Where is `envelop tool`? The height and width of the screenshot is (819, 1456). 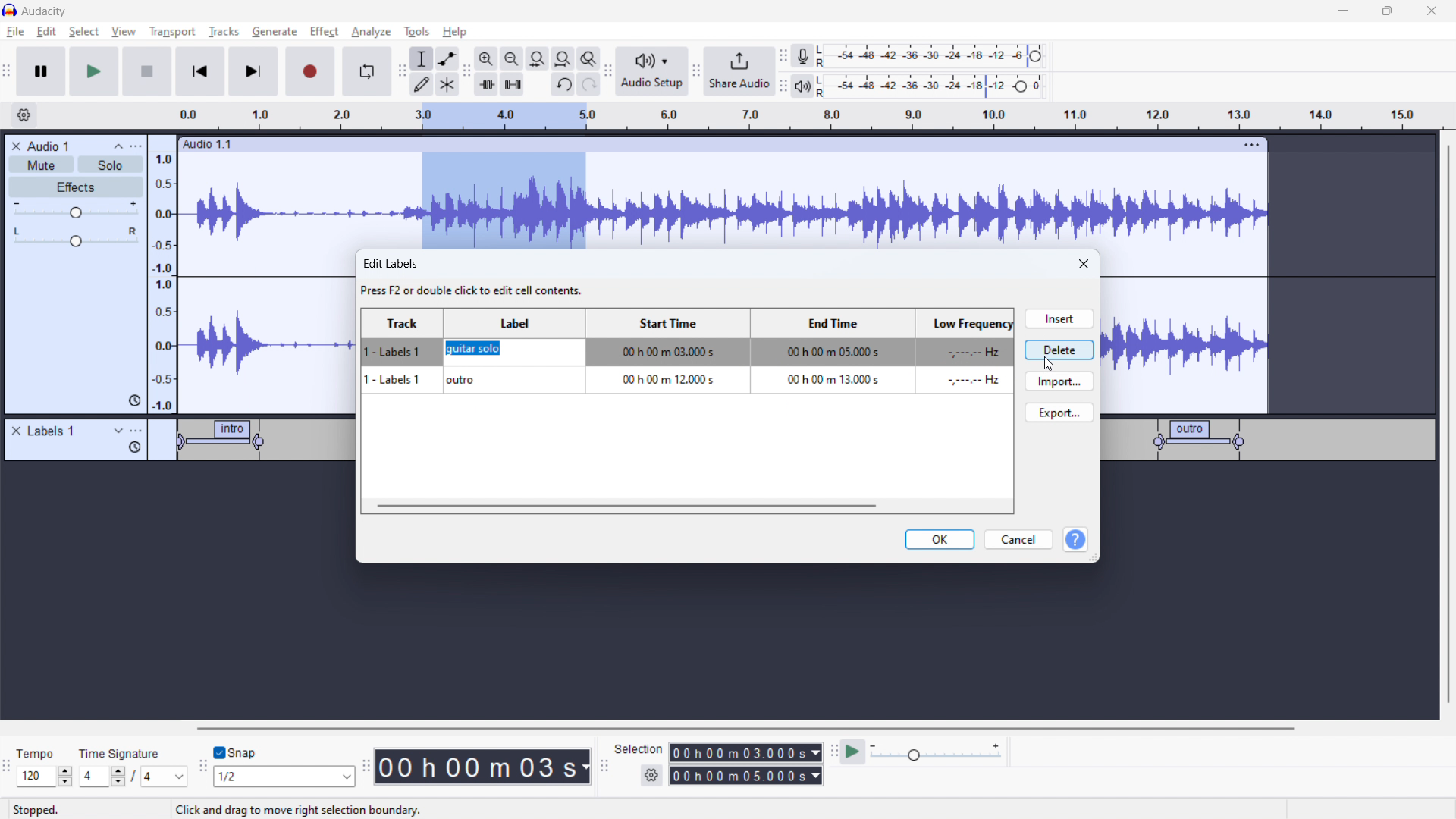 envelop tool is located at coordinates (447, 58).